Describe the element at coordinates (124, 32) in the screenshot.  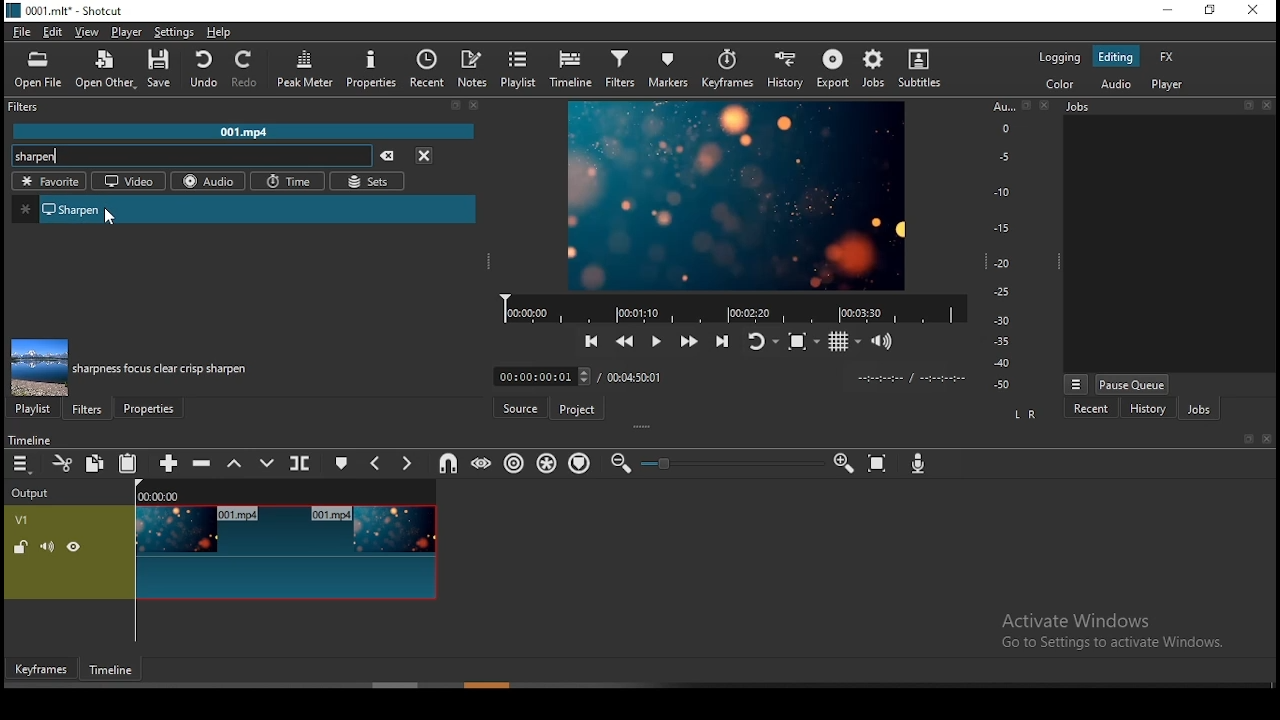
I see `player` at that location.